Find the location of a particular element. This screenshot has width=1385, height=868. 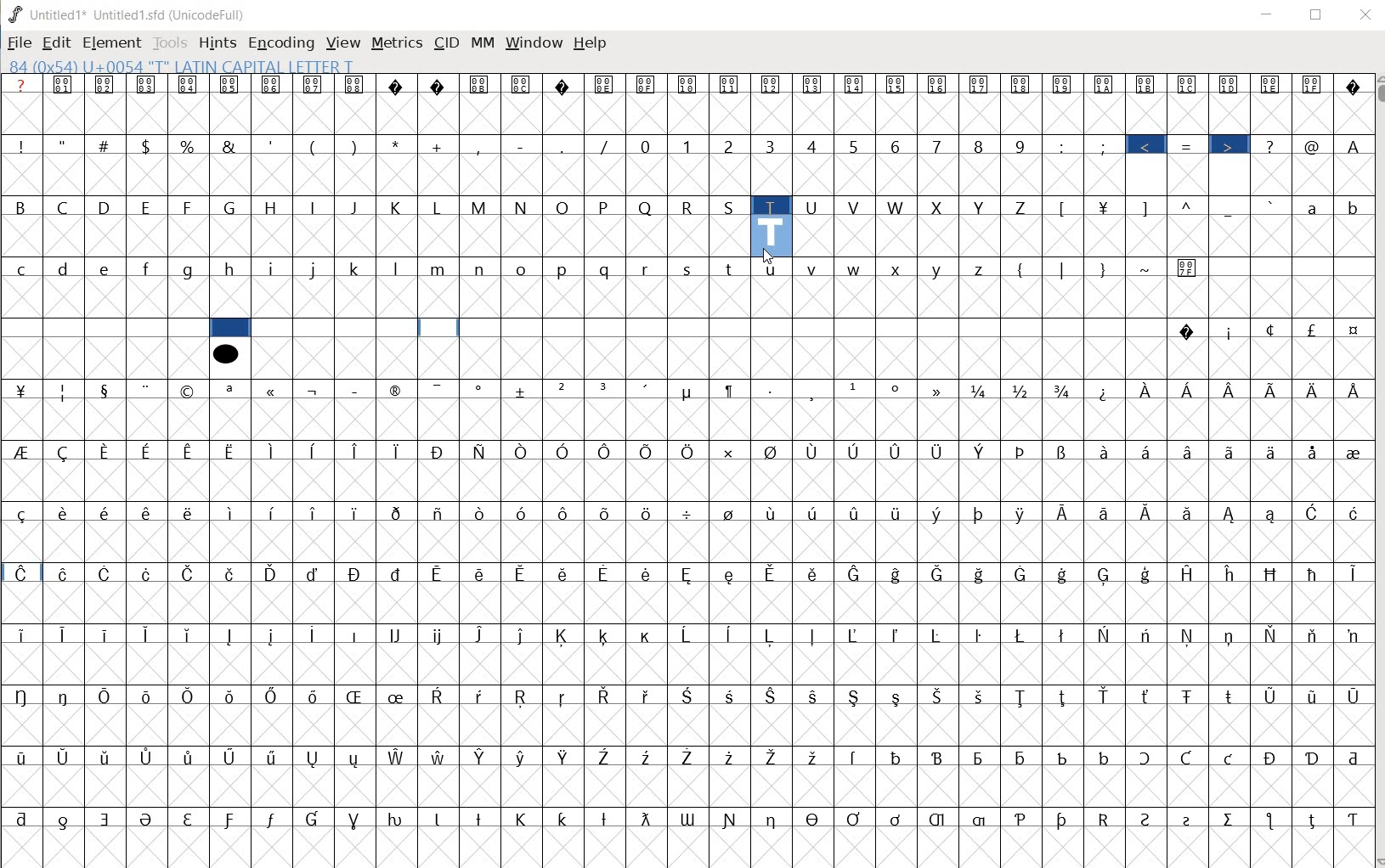

# is located at coordinates (105, 146).